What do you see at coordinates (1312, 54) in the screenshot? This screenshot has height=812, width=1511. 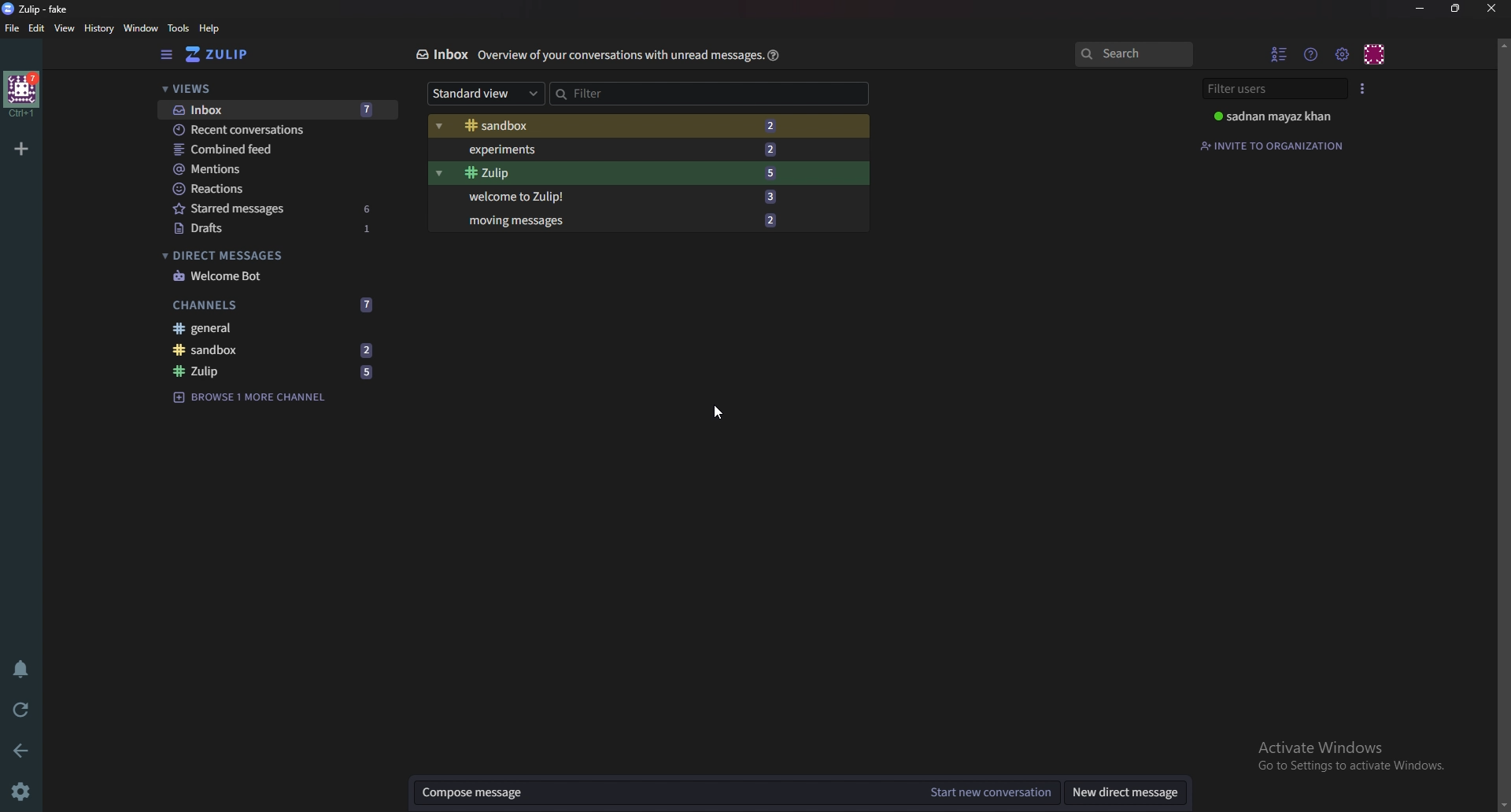 I see `Help menu` at bounding box center [1312, 54].